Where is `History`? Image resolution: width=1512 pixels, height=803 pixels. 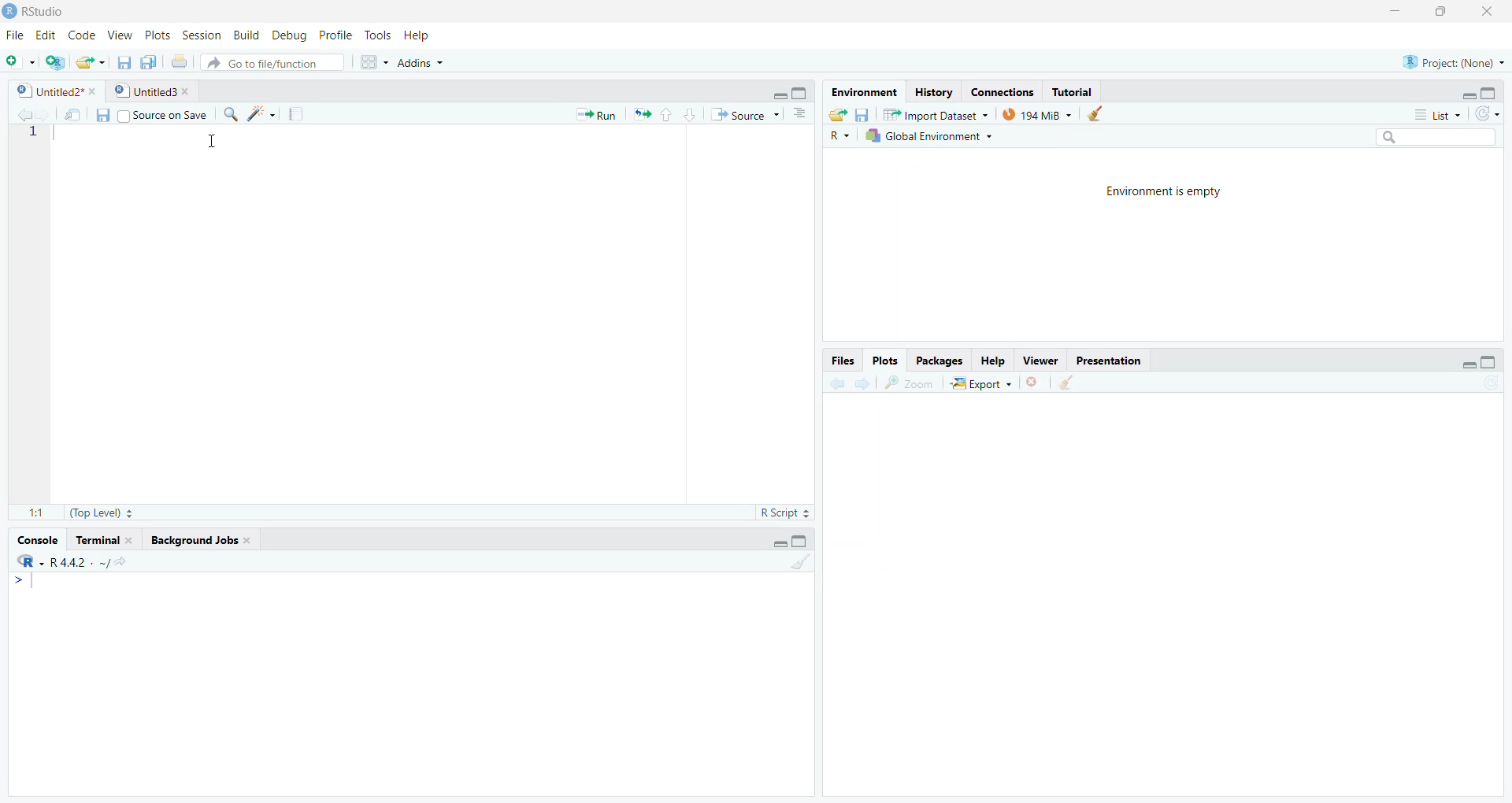
History is located at coordinates (935, 91).